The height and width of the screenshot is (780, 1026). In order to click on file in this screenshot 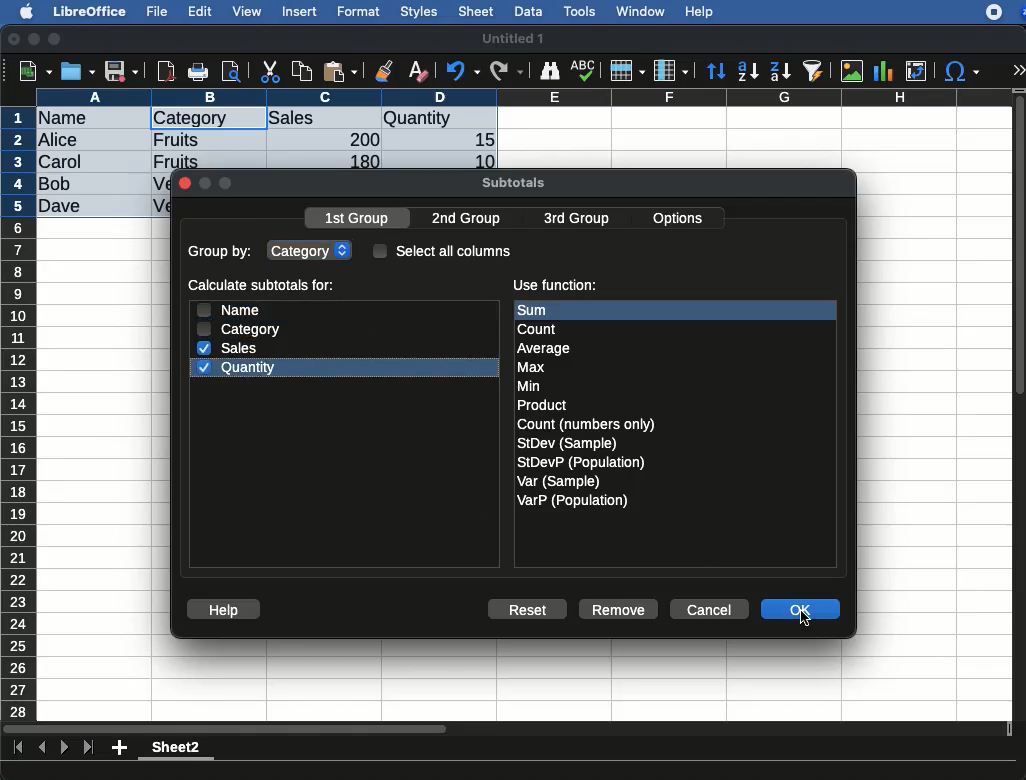, I will do `click(154, 12)`.